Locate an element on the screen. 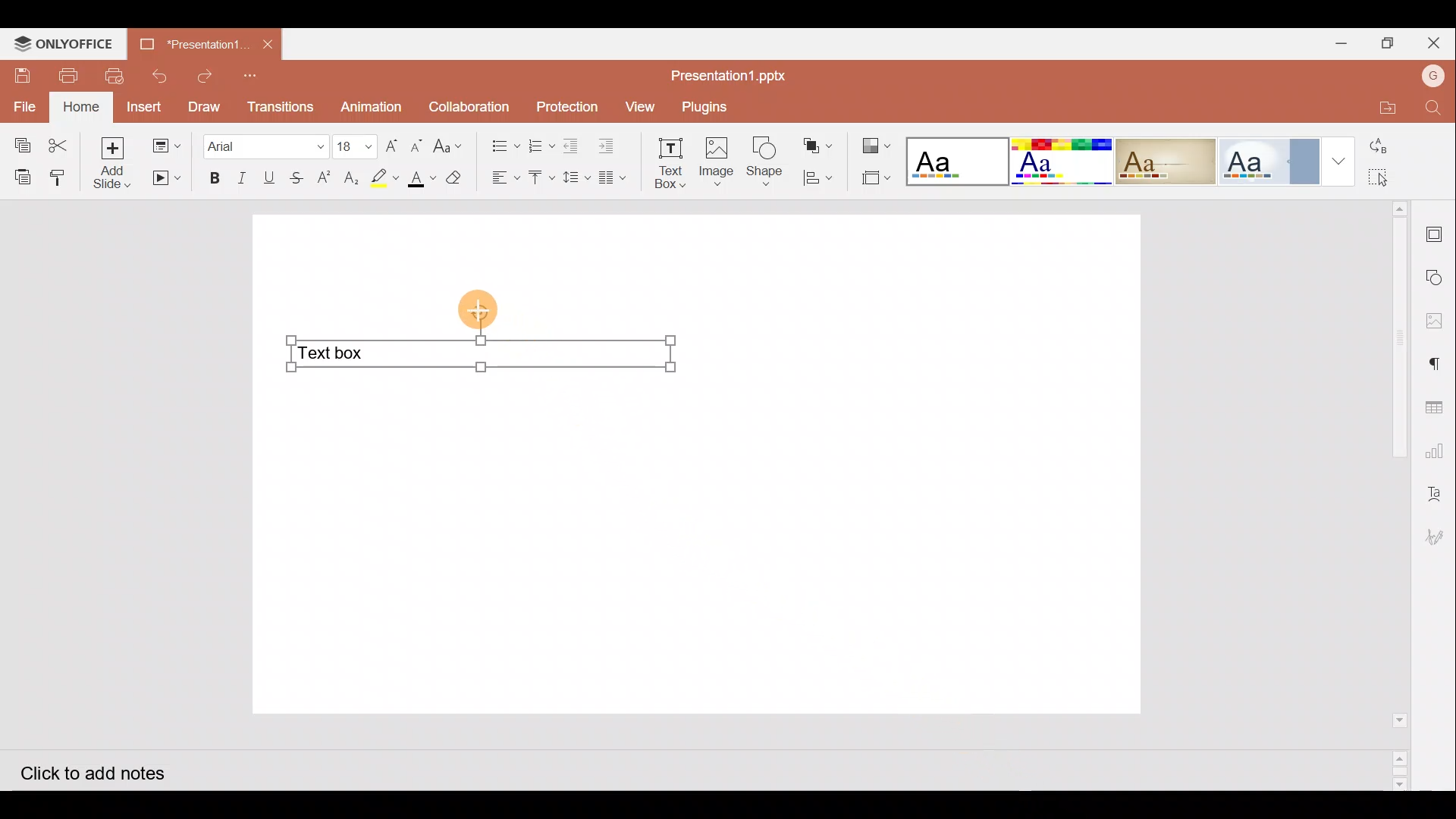  Copy is located at coordinates (19, 141).